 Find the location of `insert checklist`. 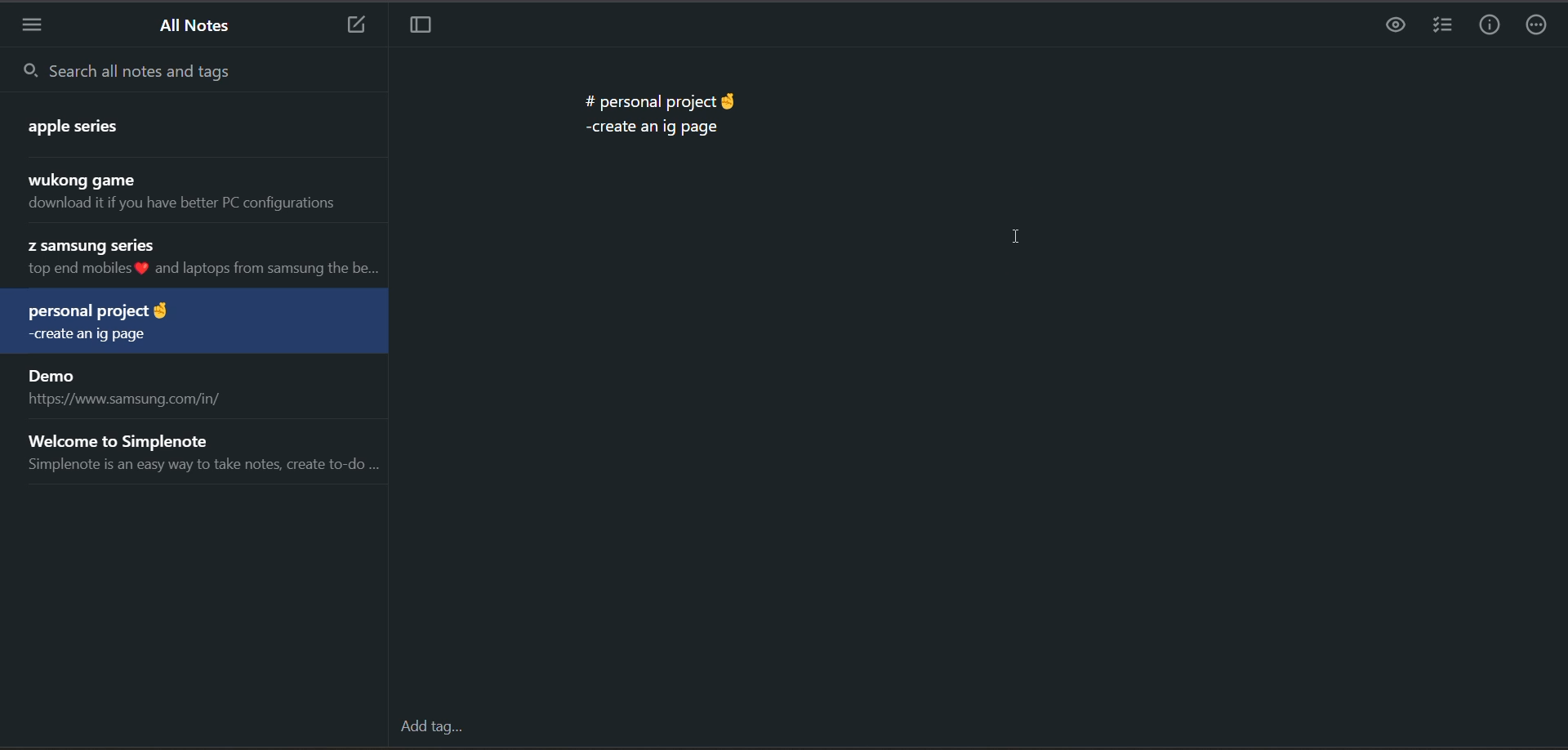

insert checklist is located at coordinates (1443, 26).